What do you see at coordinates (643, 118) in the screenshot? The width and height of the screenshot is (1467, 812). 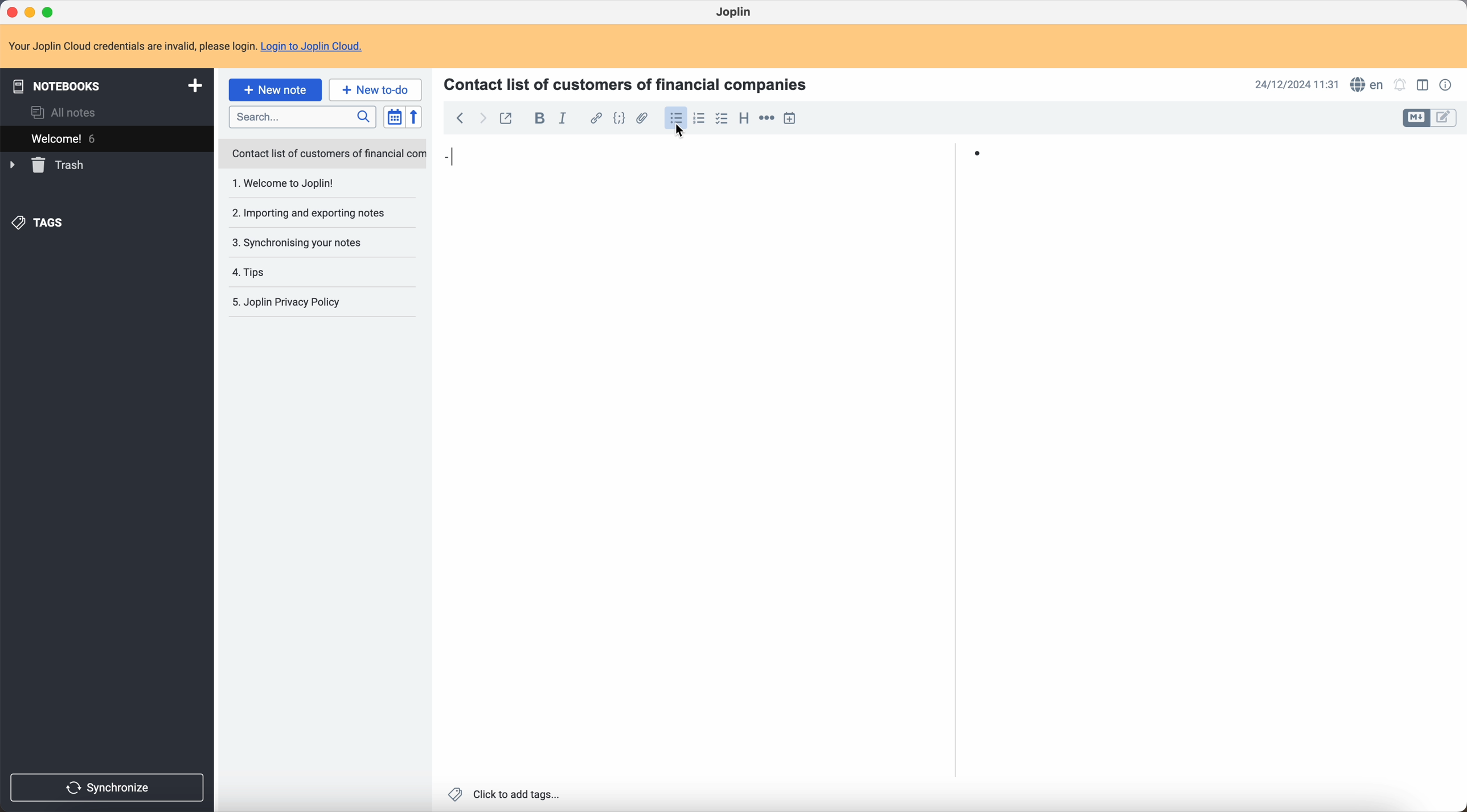 I see `attach file` at bounding box center [643, 118].